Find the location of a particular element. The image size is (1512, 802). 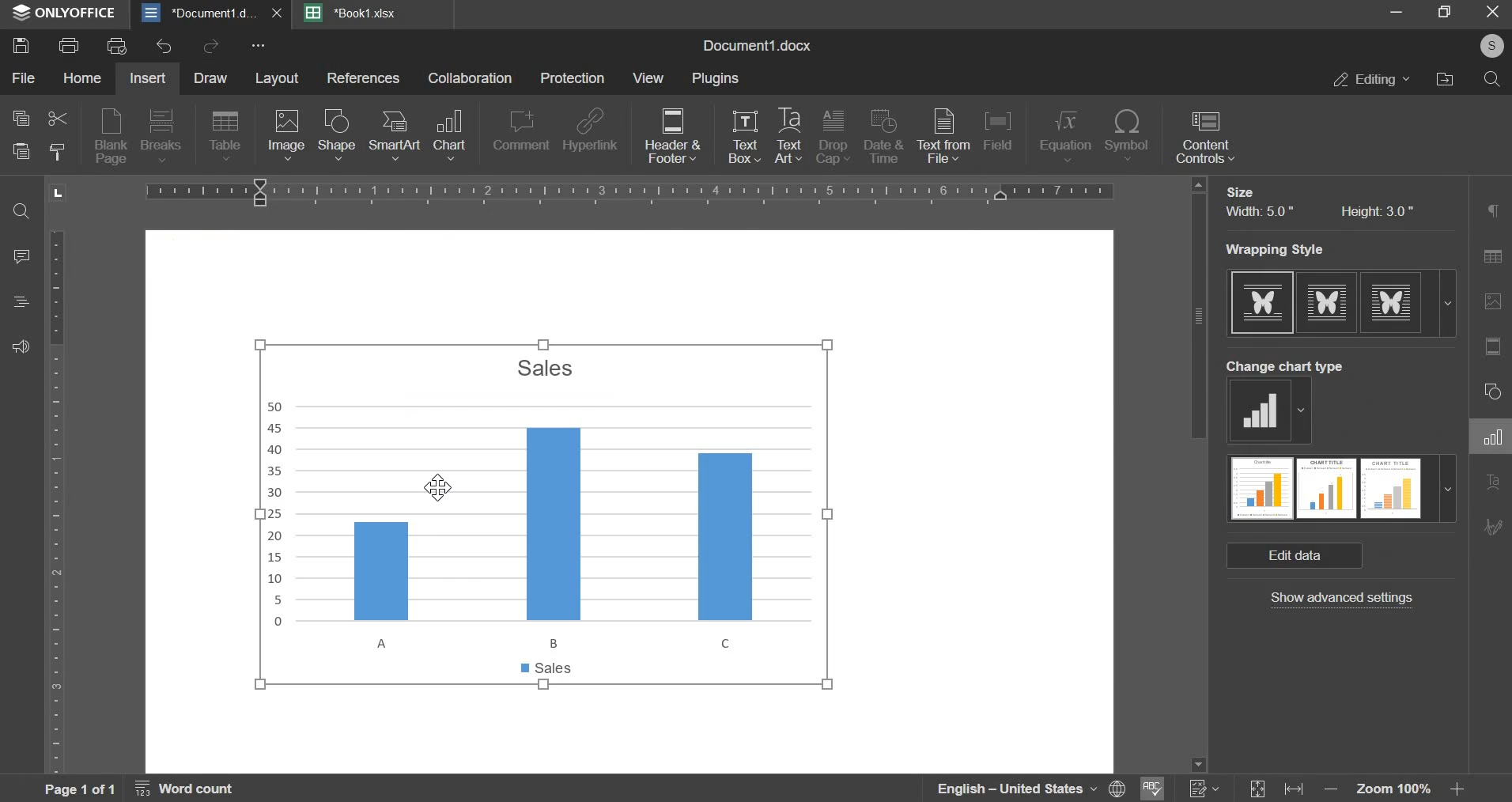

drop cap is located at coordinates (833, 138).